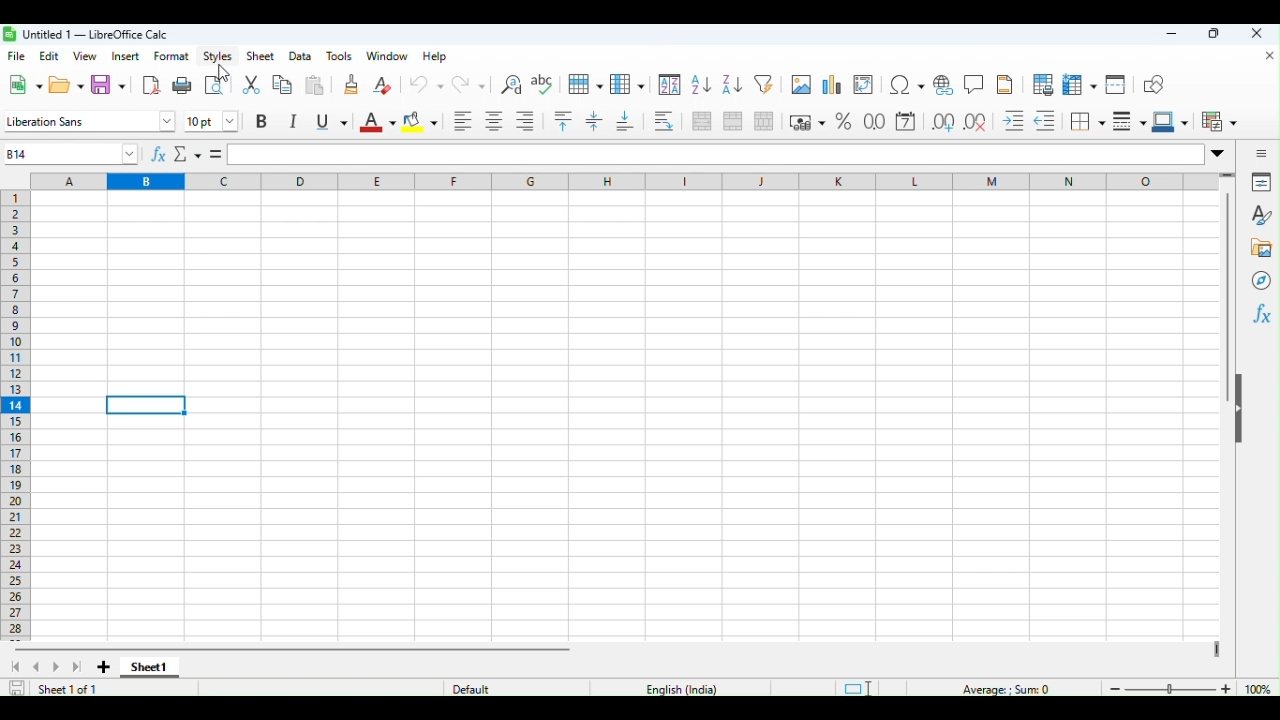 Image resolution: width=1280 pixels, height=720 pixels. Describe the element at coordinates (1006, 84) in the screenshot. I see `Headers and footers` at that location.